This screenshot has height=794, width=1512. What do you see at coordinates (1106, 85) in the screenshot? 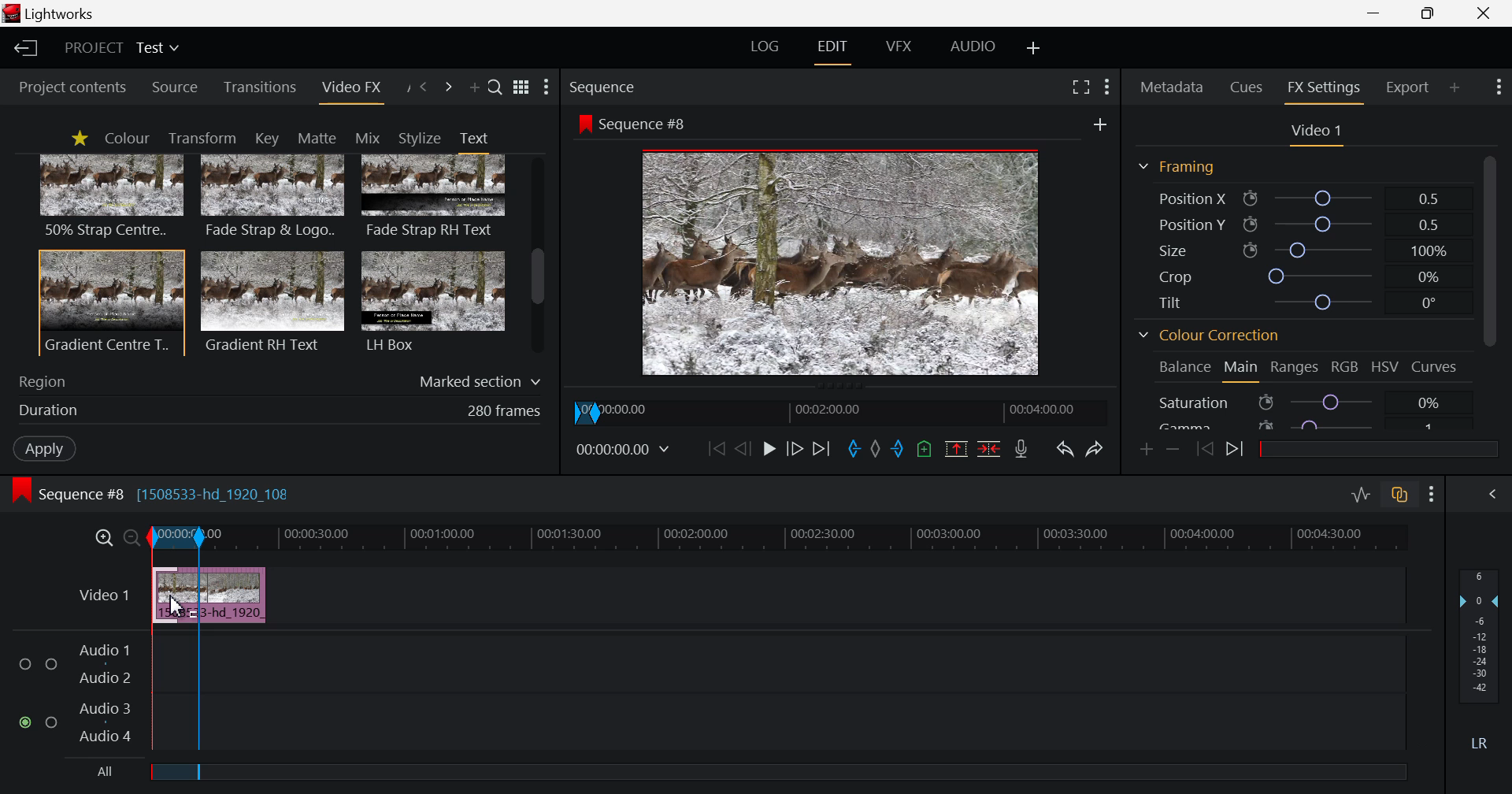
I see `Settings` at bounding box center [1106, 85].